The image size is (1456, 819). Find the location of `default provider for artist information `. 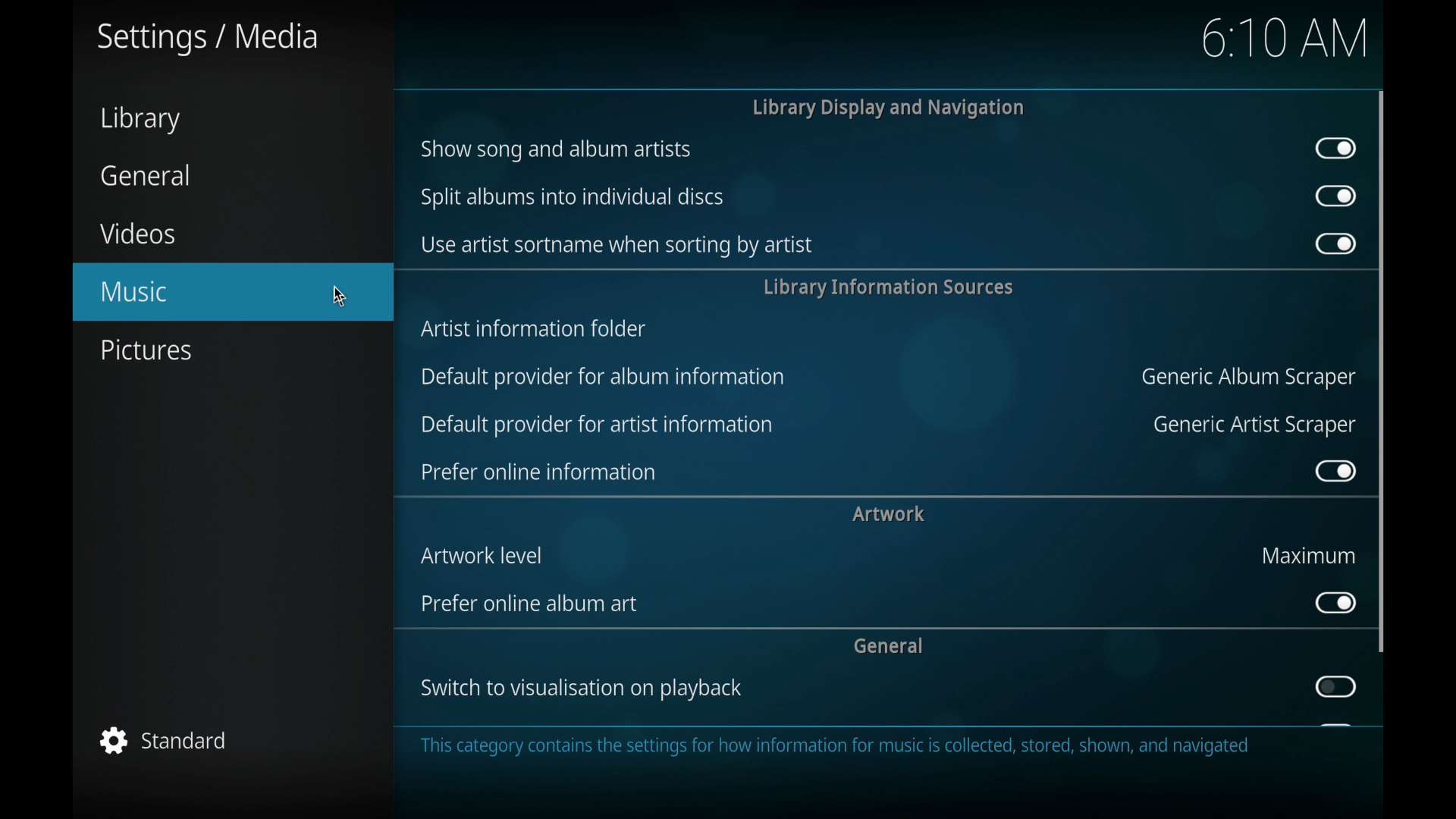

default provider for artist information  is located at coordinates (597, 425).